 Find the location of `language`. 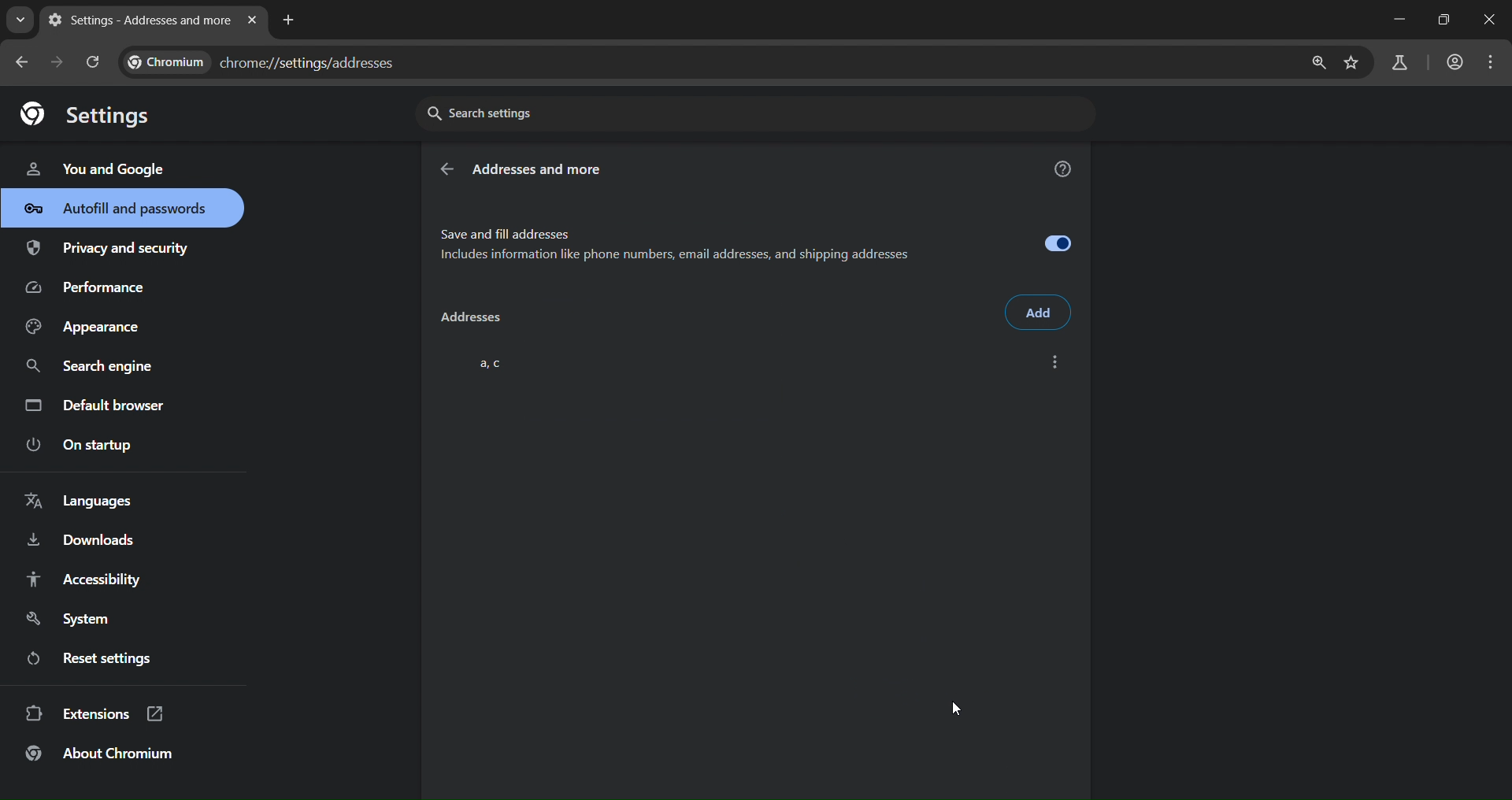

language is located at coordinates (83, 502).